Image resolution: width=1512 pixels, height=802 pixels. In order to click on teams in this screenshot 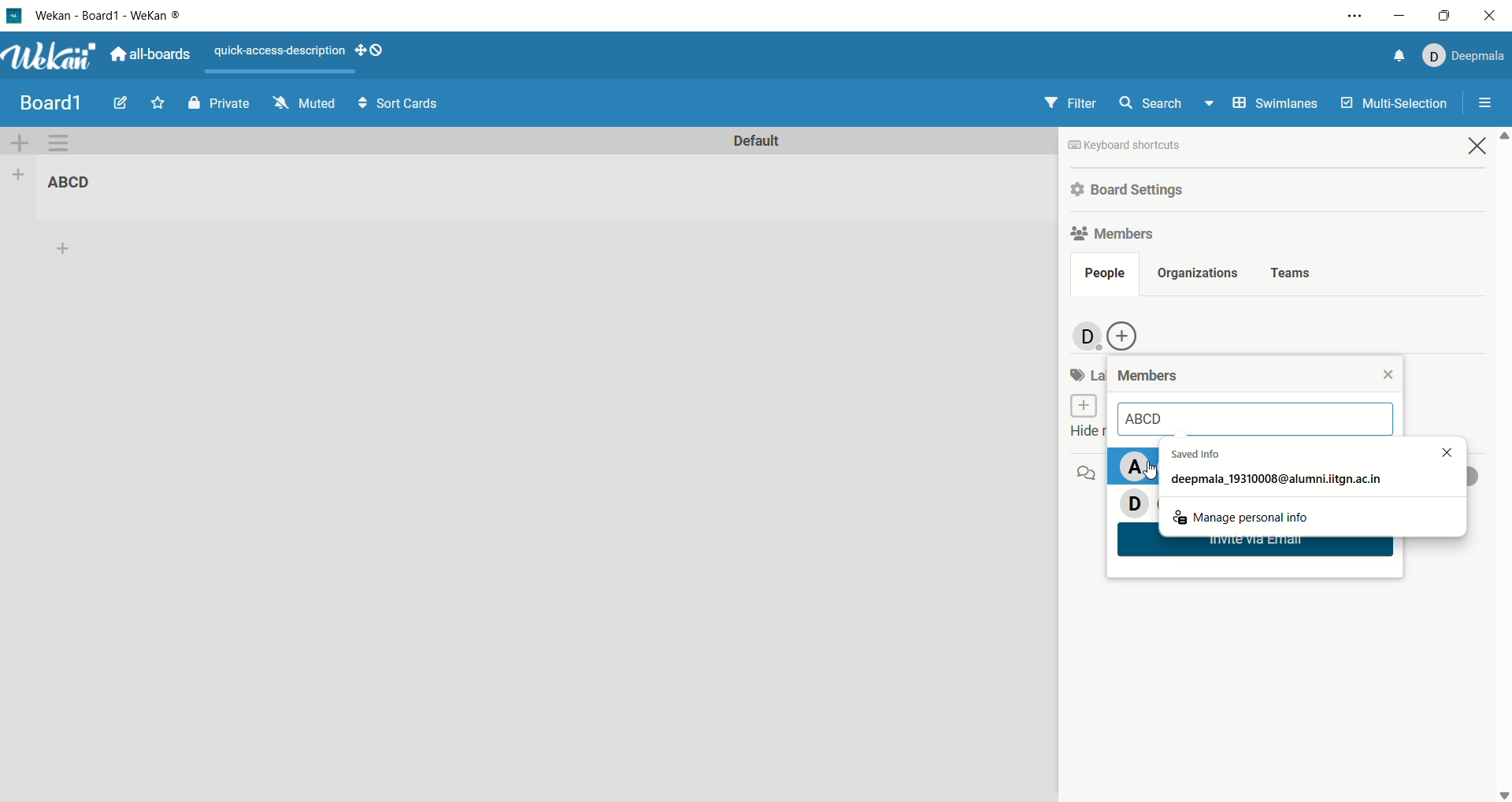, I will do `click(1292, 274)`.